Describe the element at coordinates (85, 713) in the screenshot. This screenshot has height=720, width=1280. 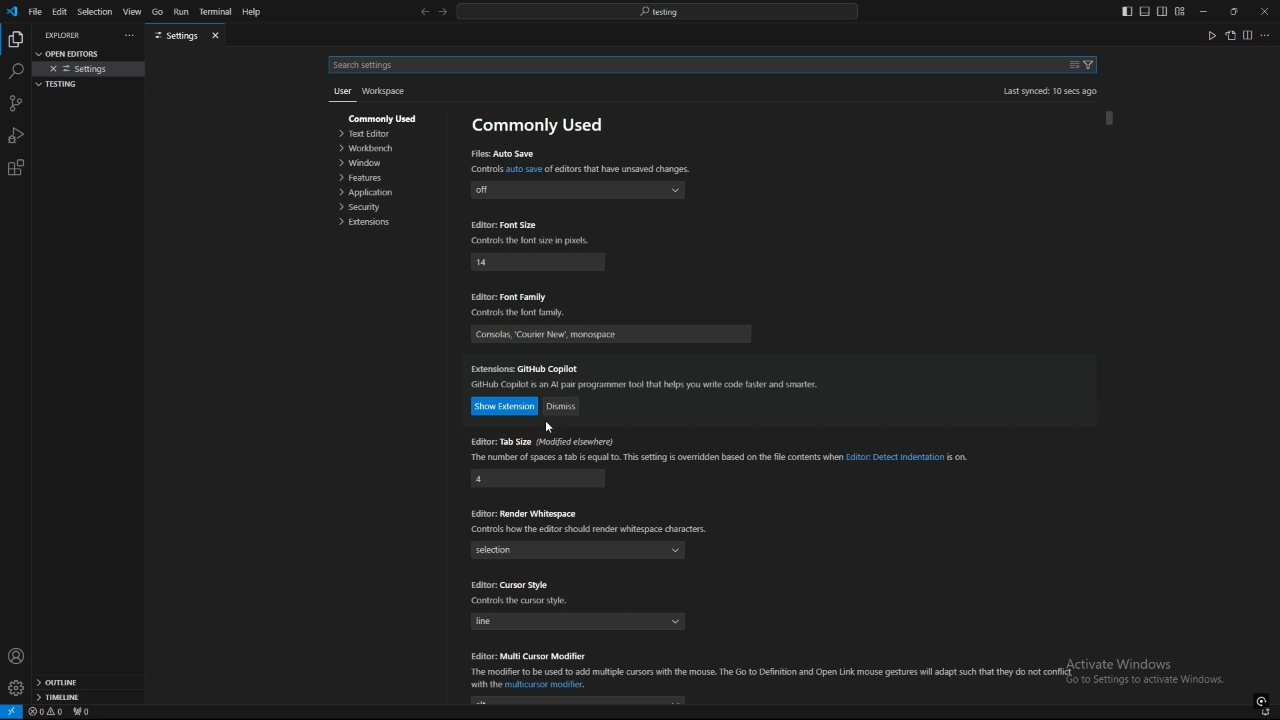
I see `ports forwarded` at that location.